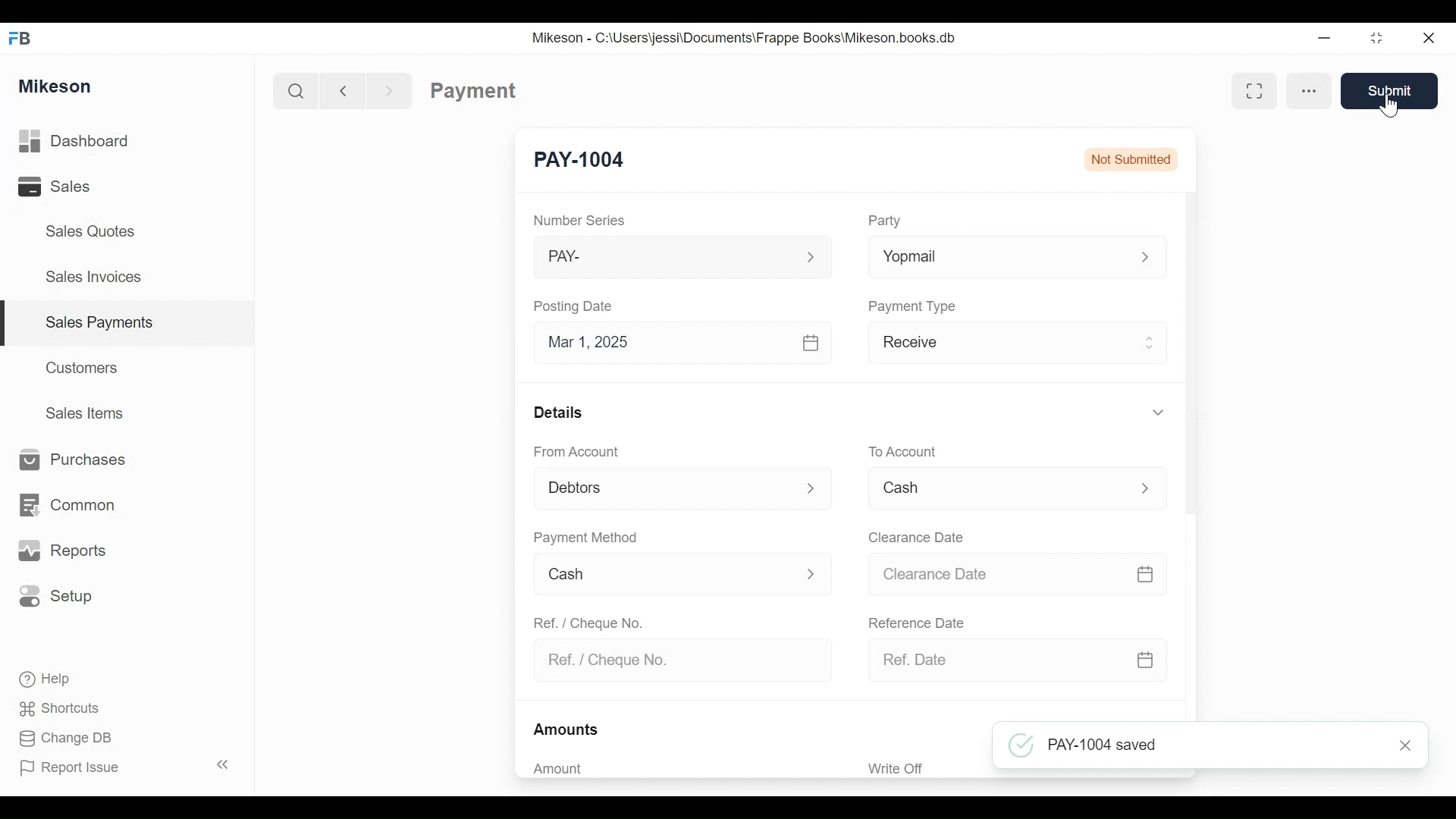 Image resolution: width=1456 pixels, height=819 pixels. I want to click on Payment Type, so click(921, 312).